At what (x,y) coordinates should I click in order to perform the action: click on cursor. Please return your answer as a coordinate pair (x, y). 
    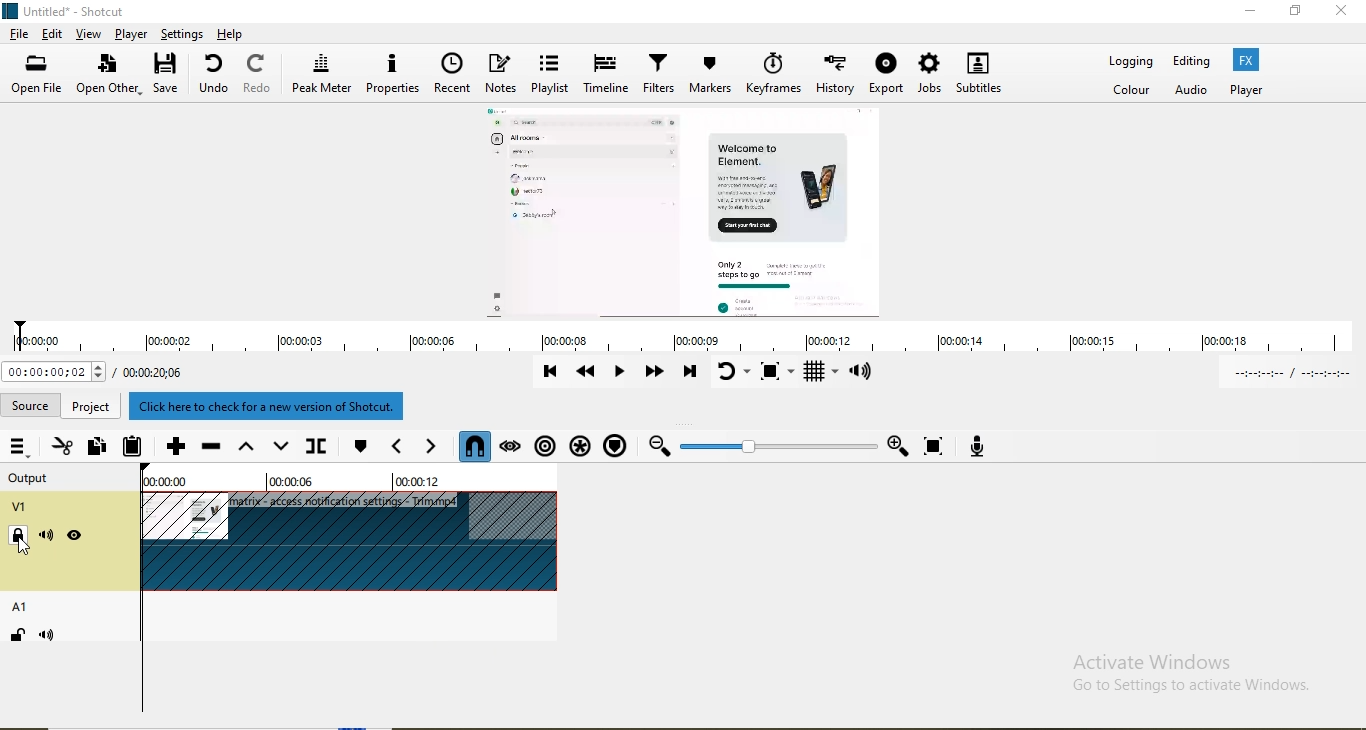
    Looking at the image, I should click on (22, 547).